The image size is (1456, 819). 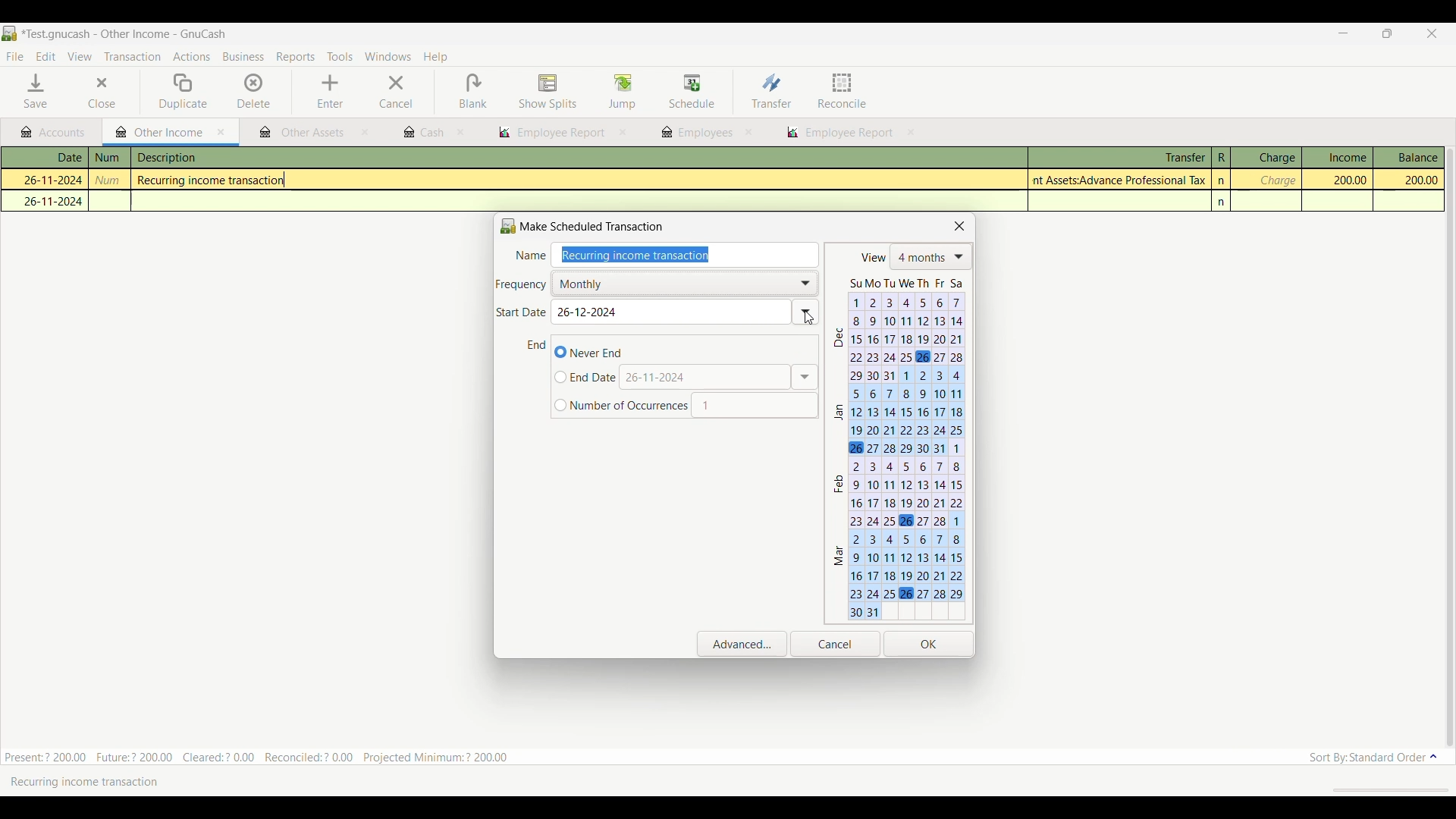 I want to click on Cancel inputs, so click(x=835, y=645).